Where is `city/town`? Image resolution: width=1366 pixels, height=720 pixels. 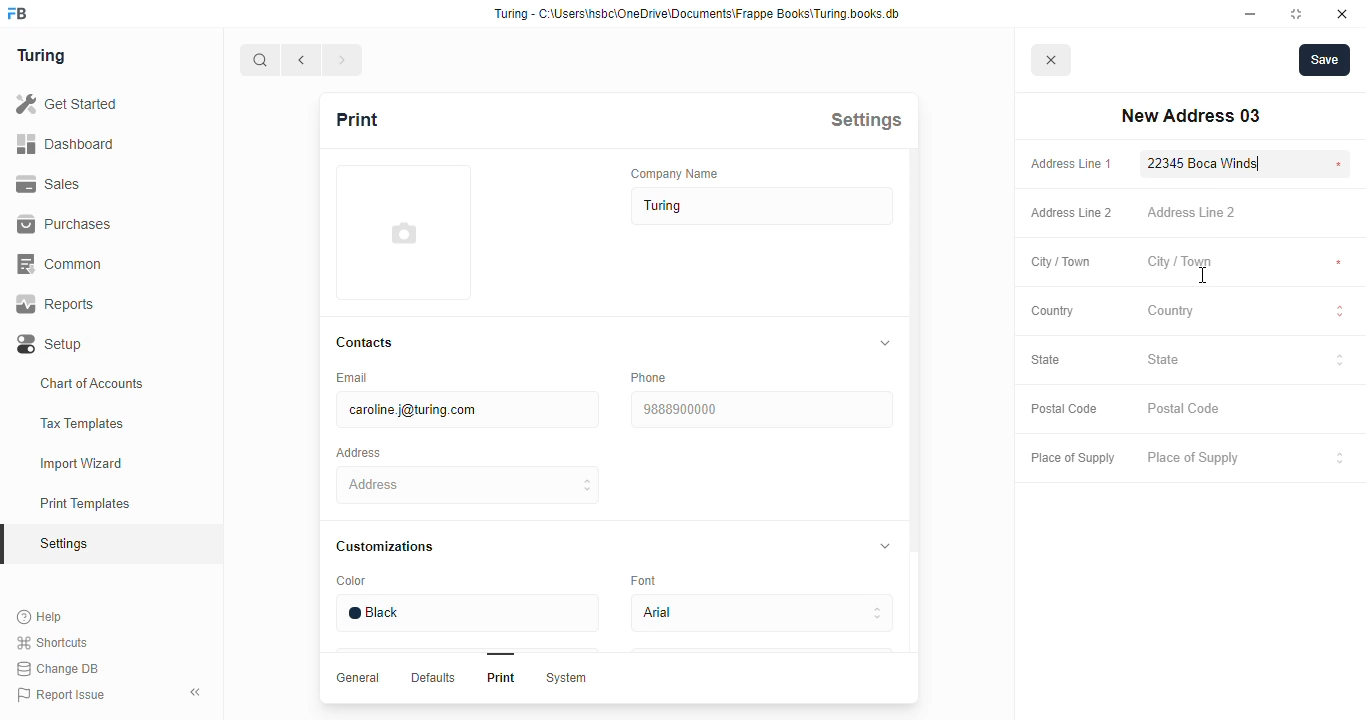
city/town is located at coordinates (1180, 263).